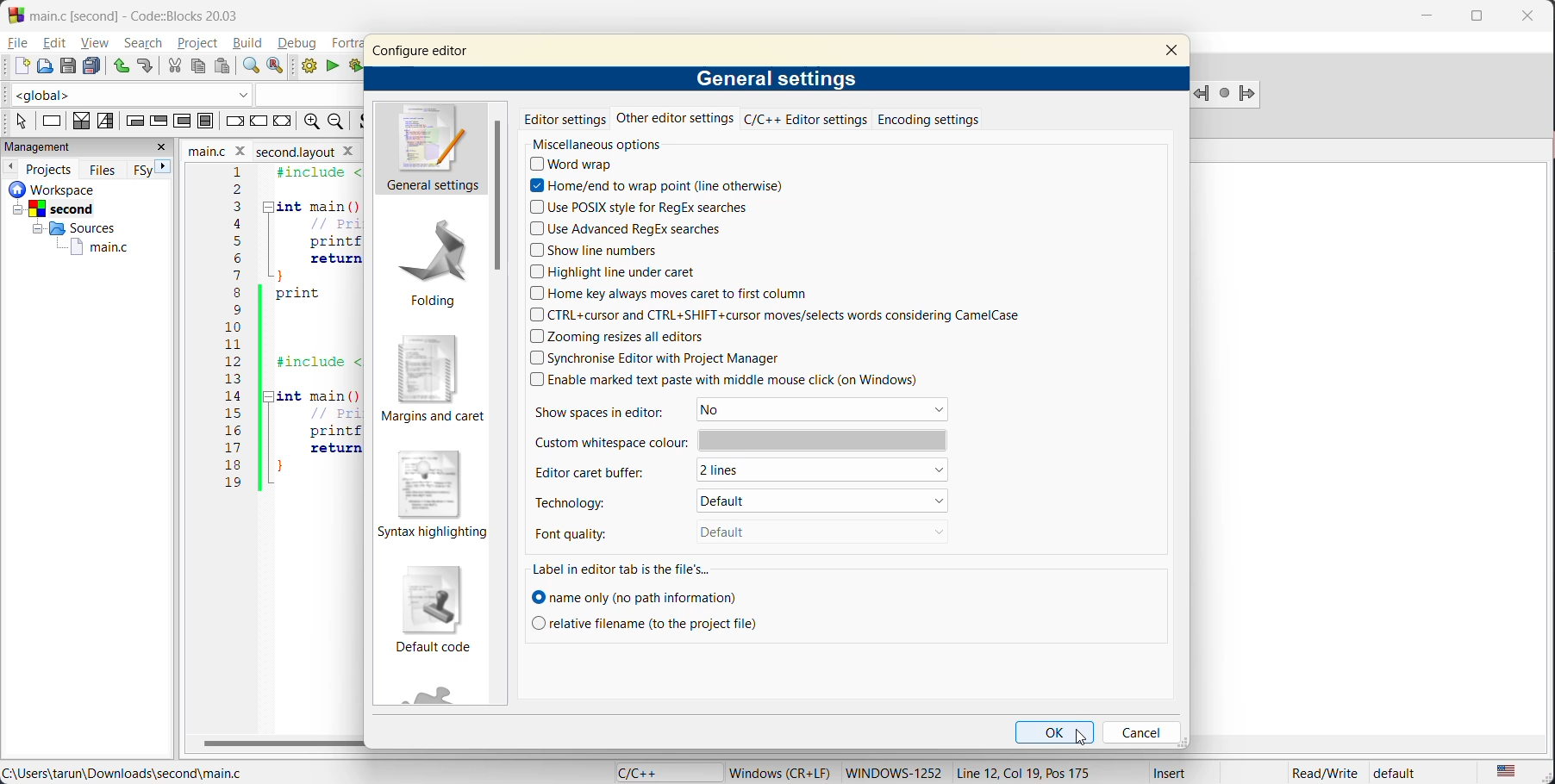  I want to click on decision, so click(78, 121).